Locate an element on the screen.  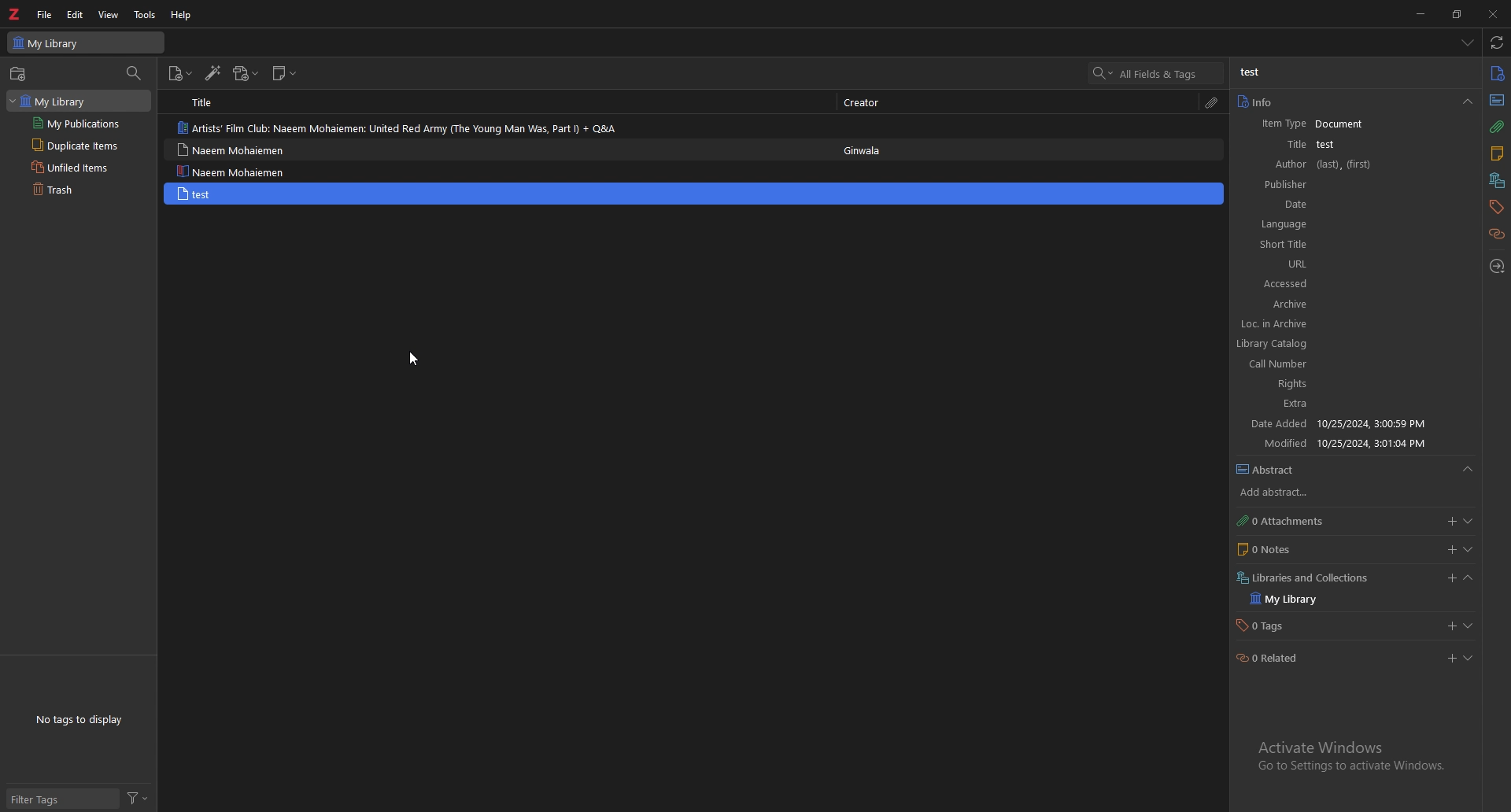
title is located at coordinates (207, 101).